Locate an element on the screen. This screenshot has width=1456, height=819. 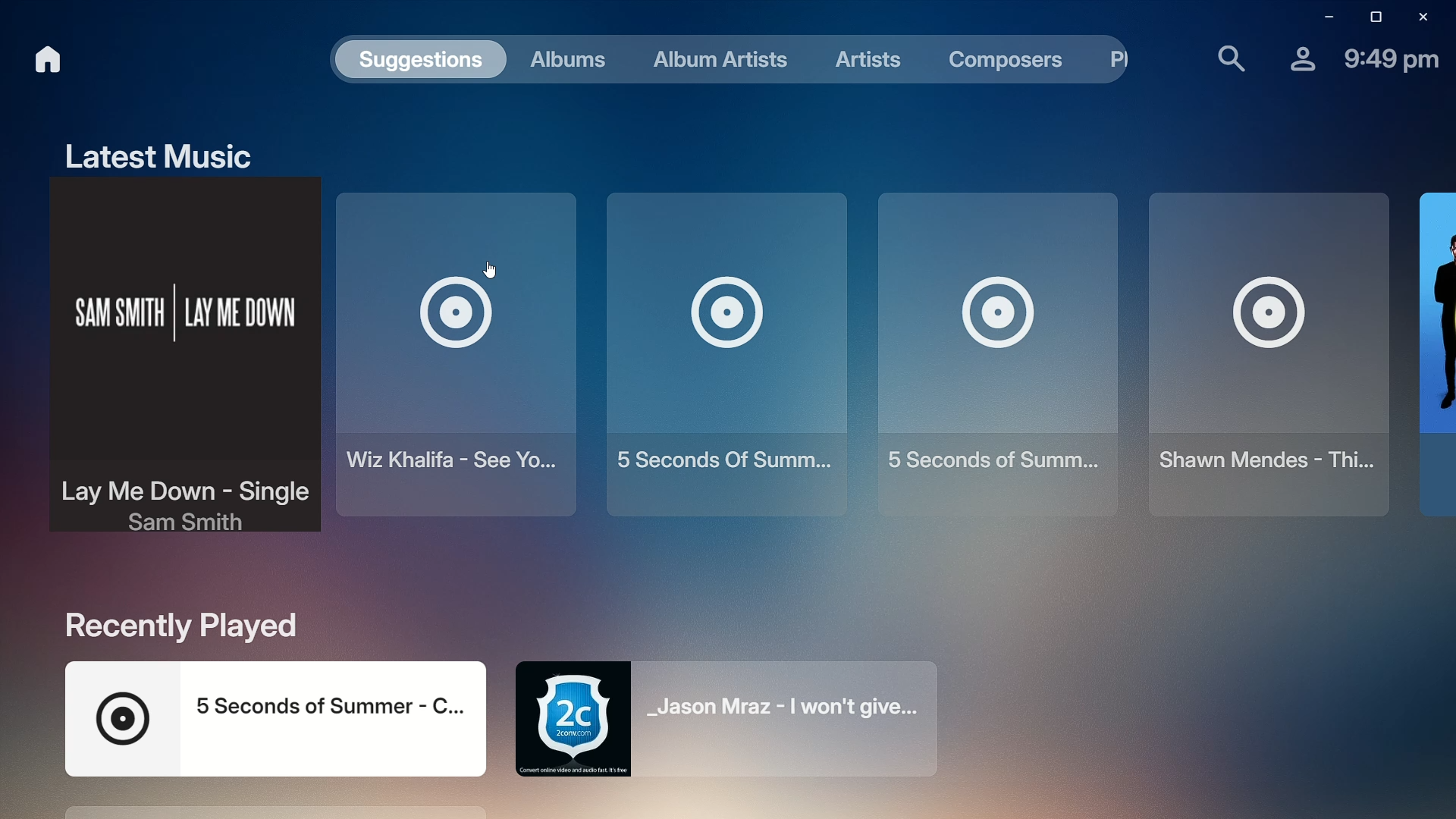
Home is located at coordinates (37, 59).